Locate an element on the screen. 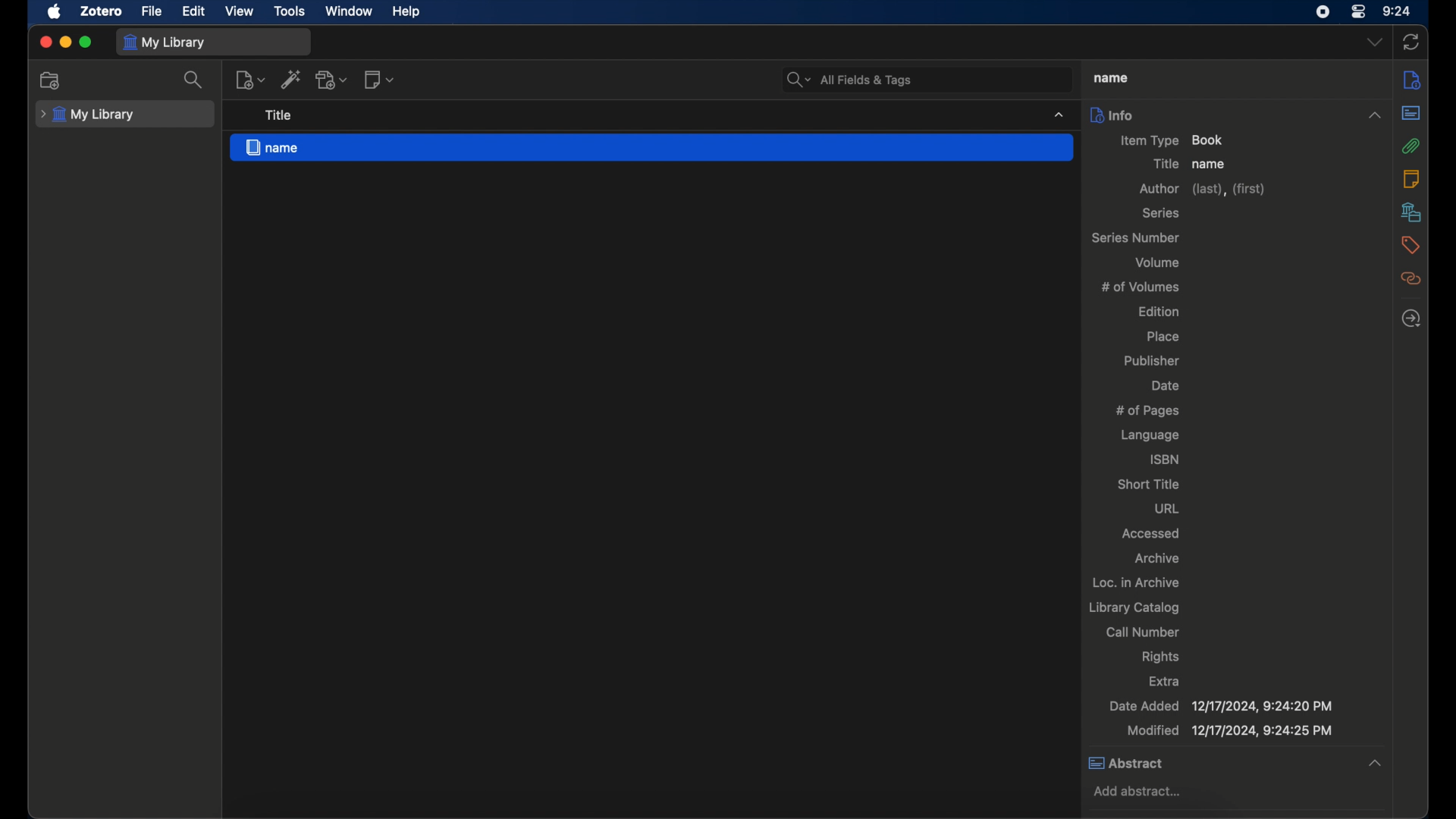 The height and width of the screenshot is (819, 1456). sync is located at coordinates (1411, 42).